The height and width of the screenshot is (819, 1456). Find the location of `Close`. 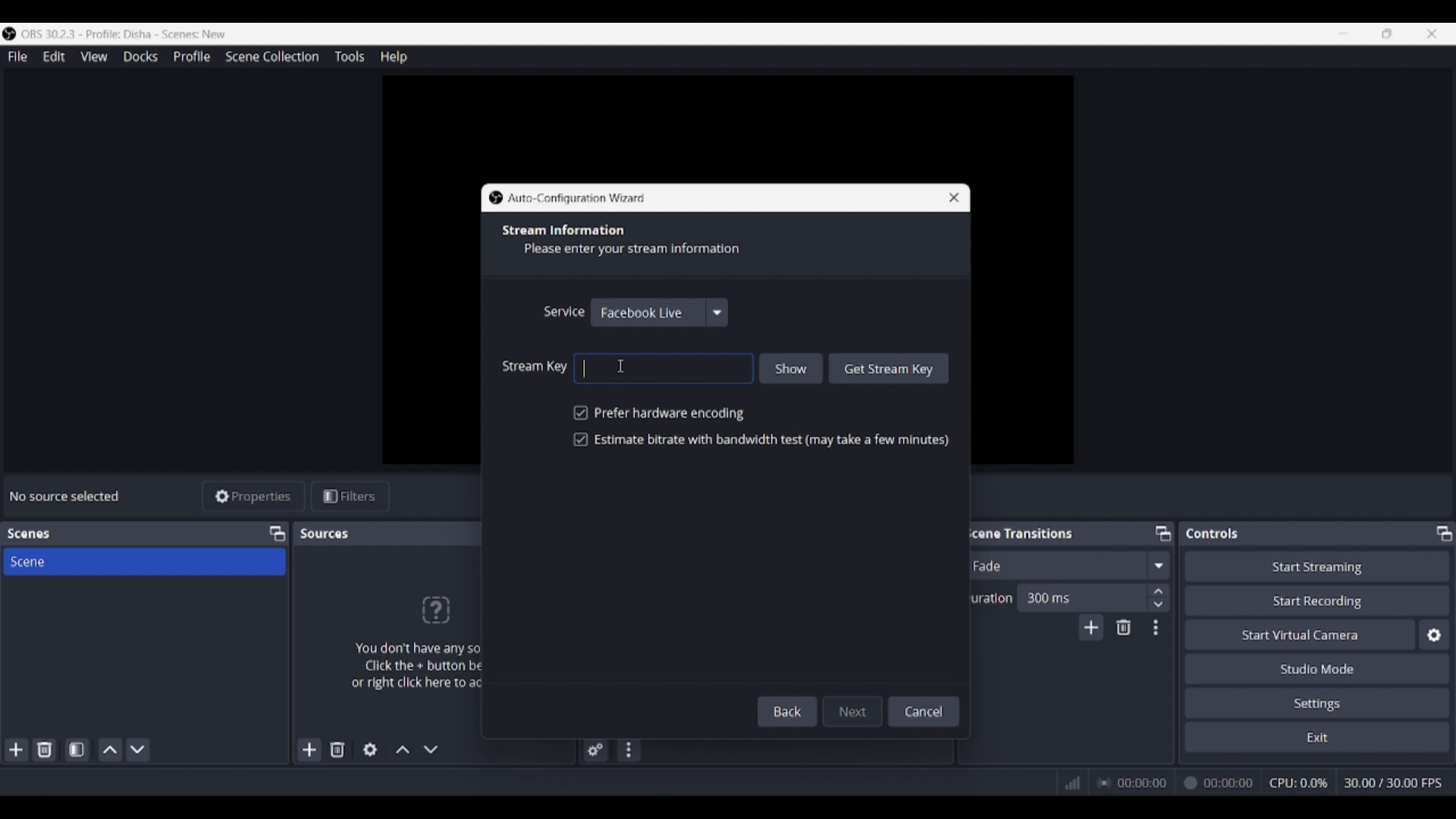

Close is located at coordinates (948, 196).